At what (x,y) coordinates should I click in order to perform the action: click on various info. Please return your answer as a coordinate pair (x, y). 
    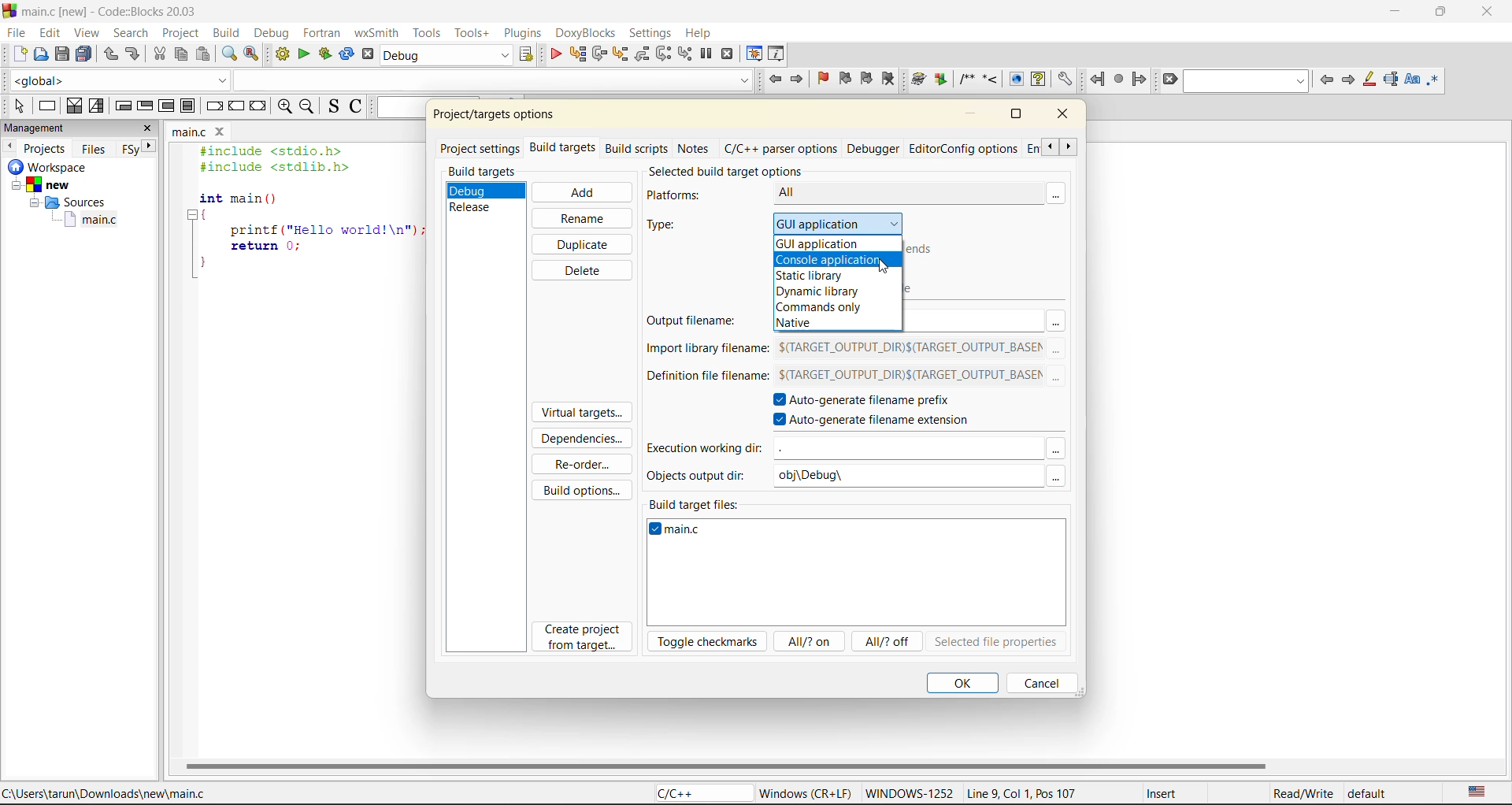
    Looking at the image, I should click on (778, 52).